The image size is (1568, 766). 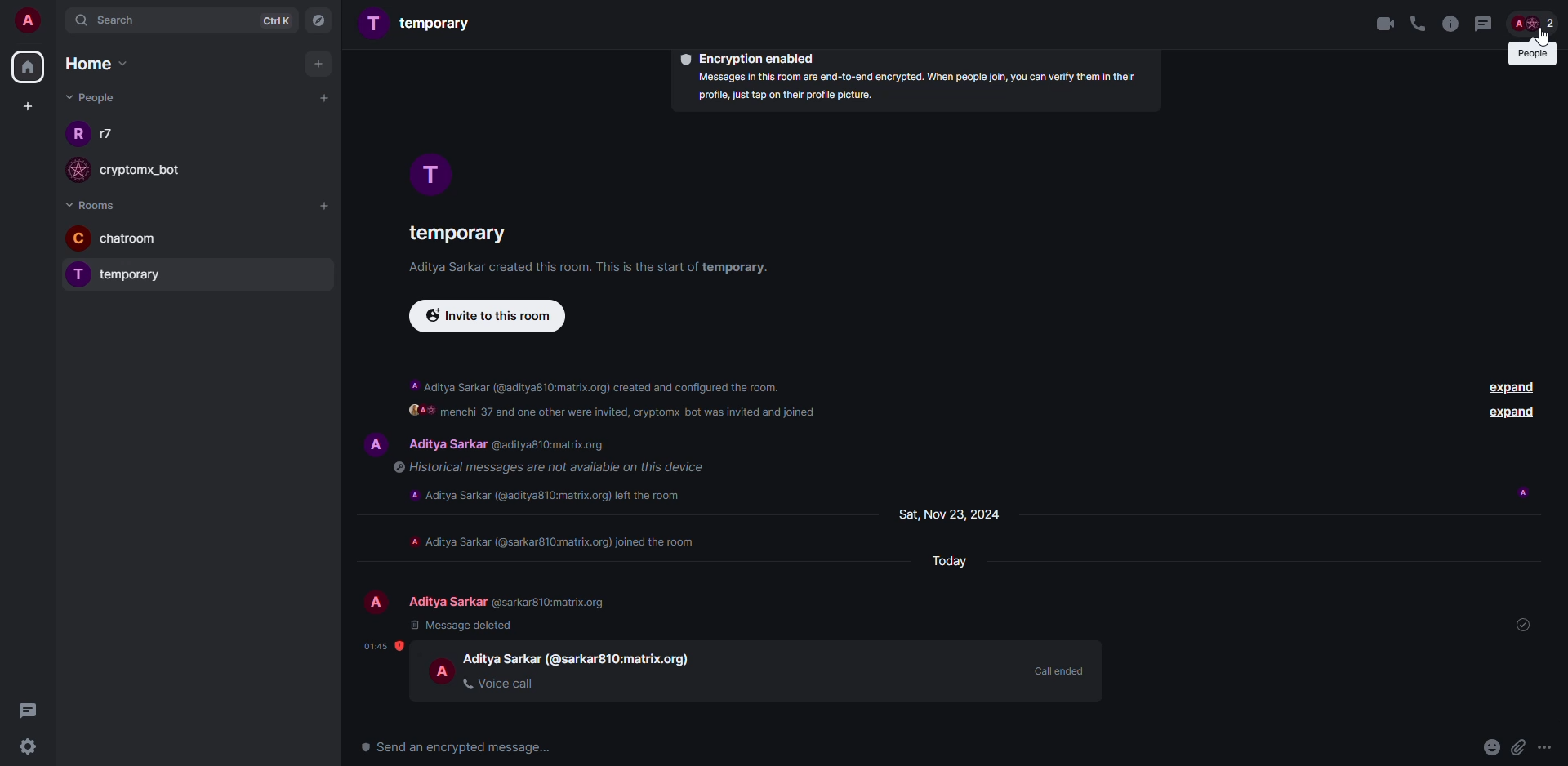 I want to click on info, so click(x=555, y=541).